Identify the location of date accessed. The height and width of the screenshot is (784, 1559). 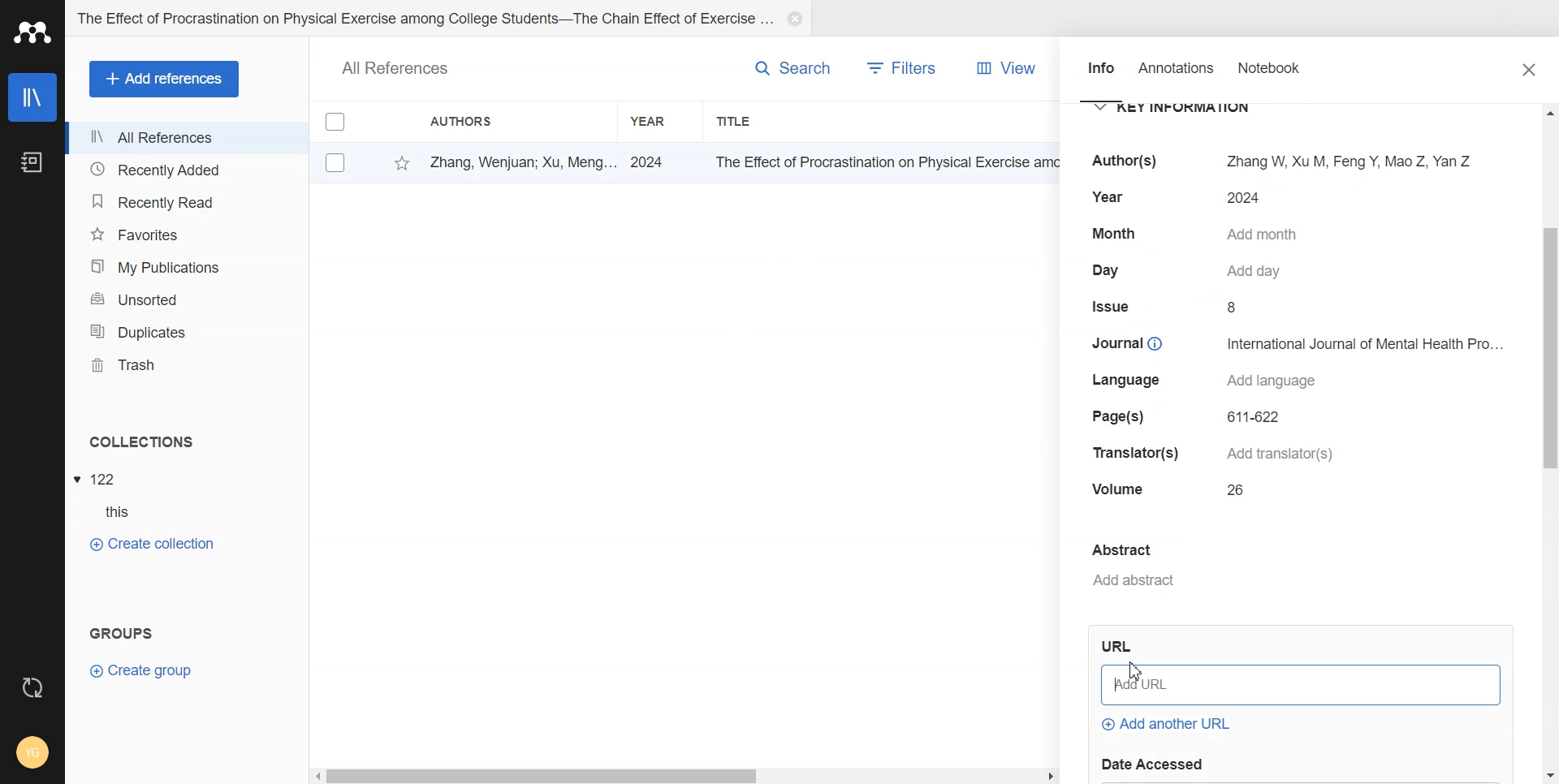
(1160, 763).